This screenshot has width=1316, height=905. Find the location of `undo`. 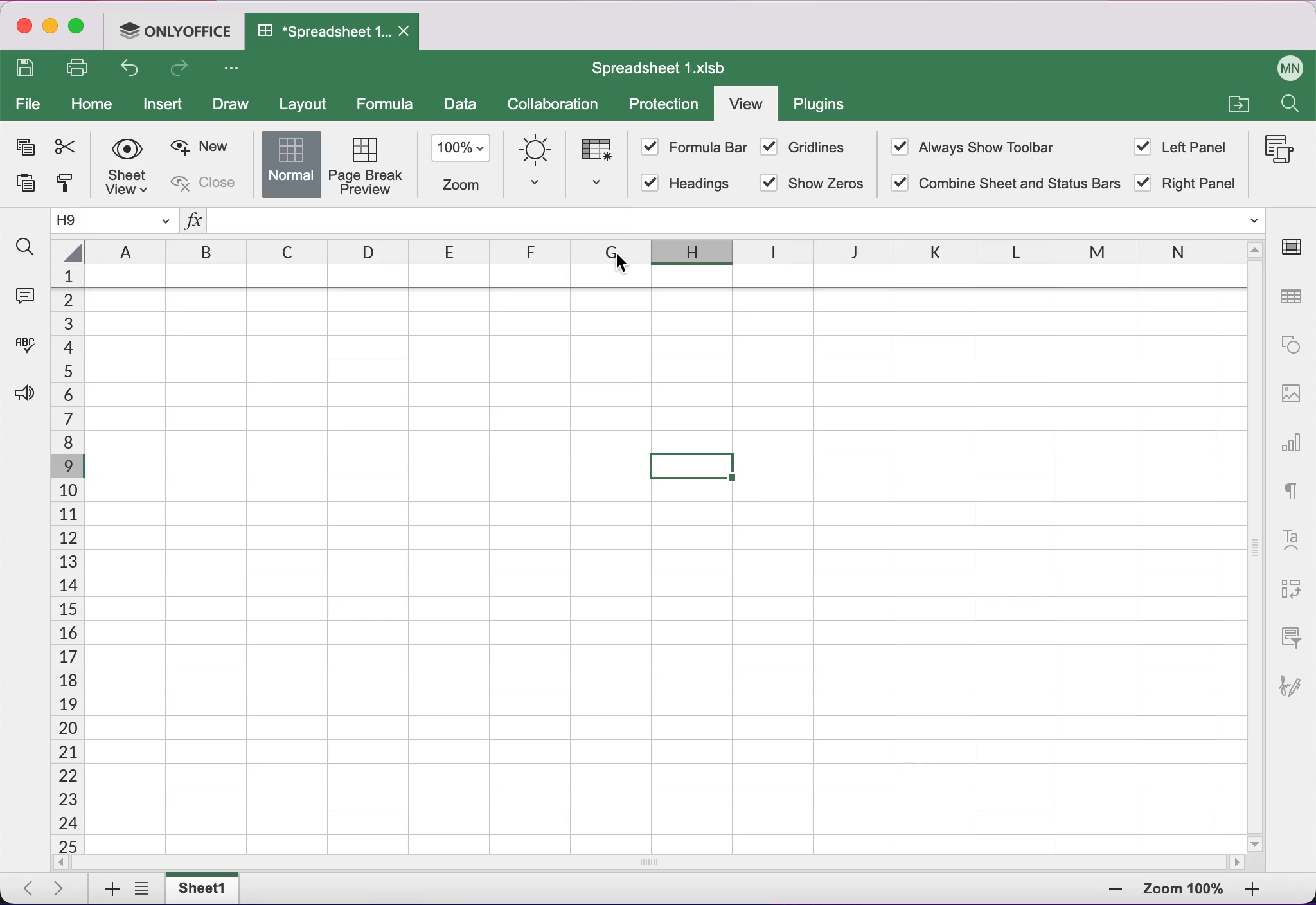

undo is located at coordinates (132, 69).